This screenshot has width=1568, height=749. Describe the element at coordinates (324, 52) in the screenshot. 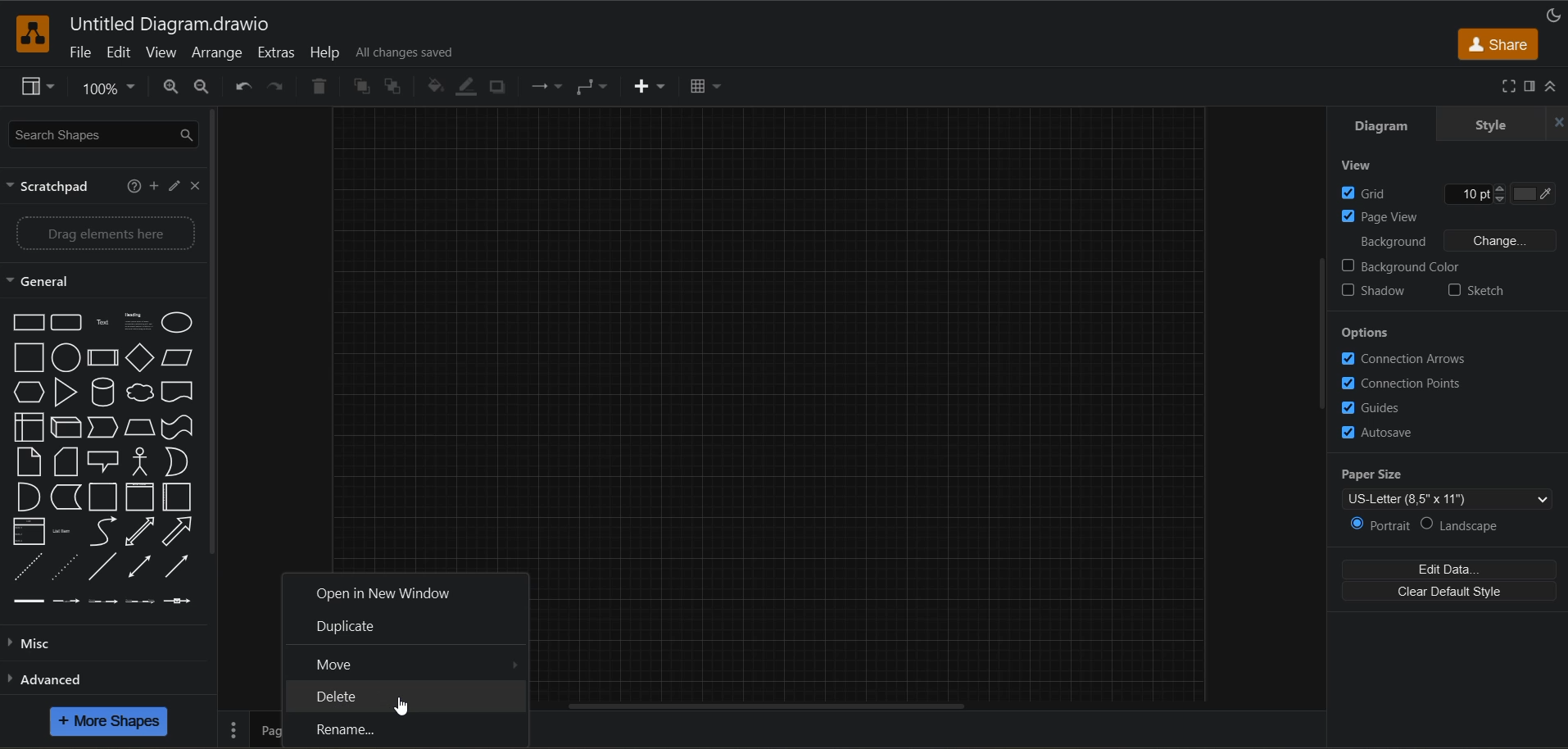

I see `help` at that location.